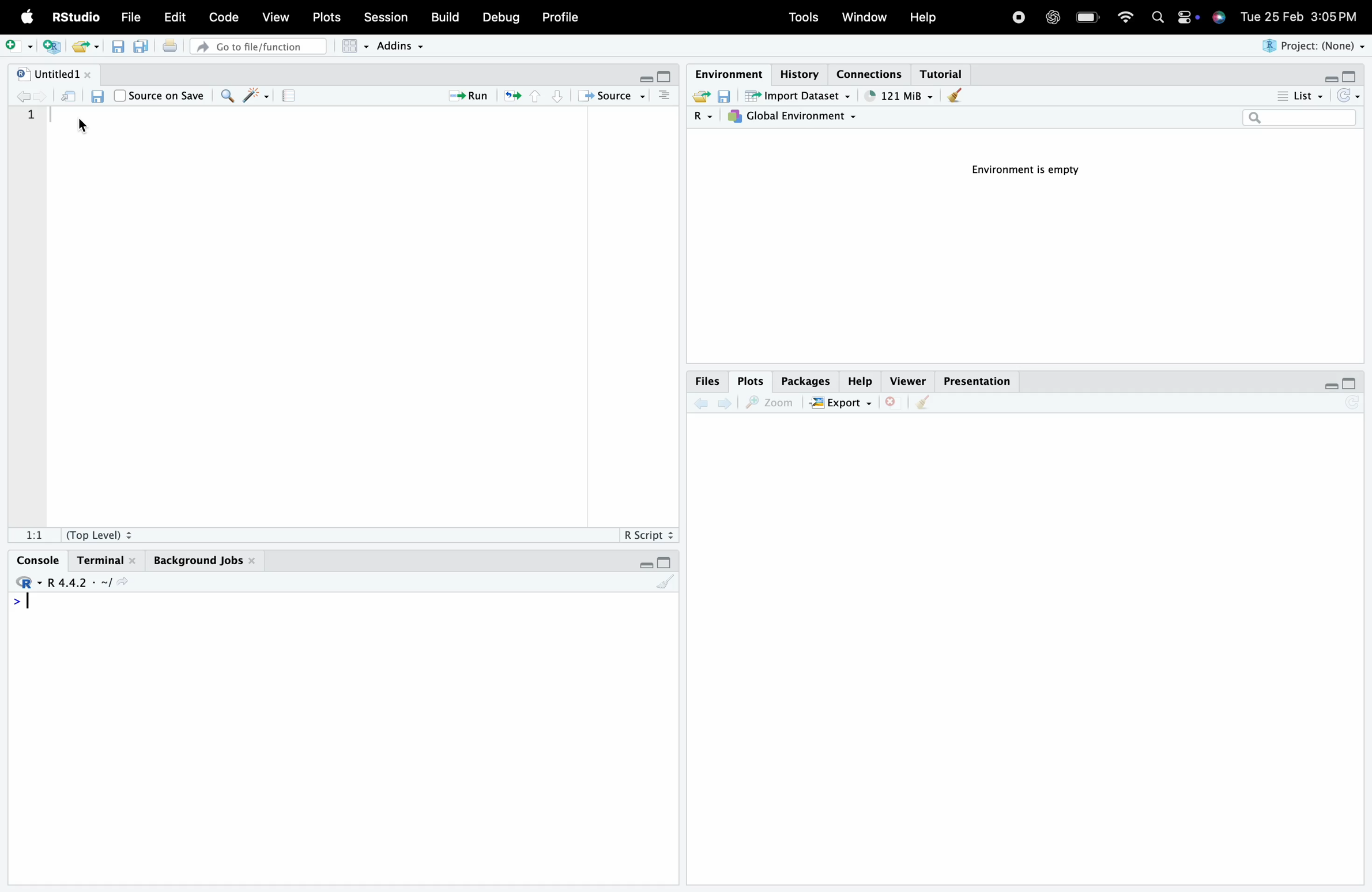 Image resolution: width=1372 pixels, height=892 pixels. I want to click on Re-run the previous code region (Ctrl + Alt + P), so click(510, 96).